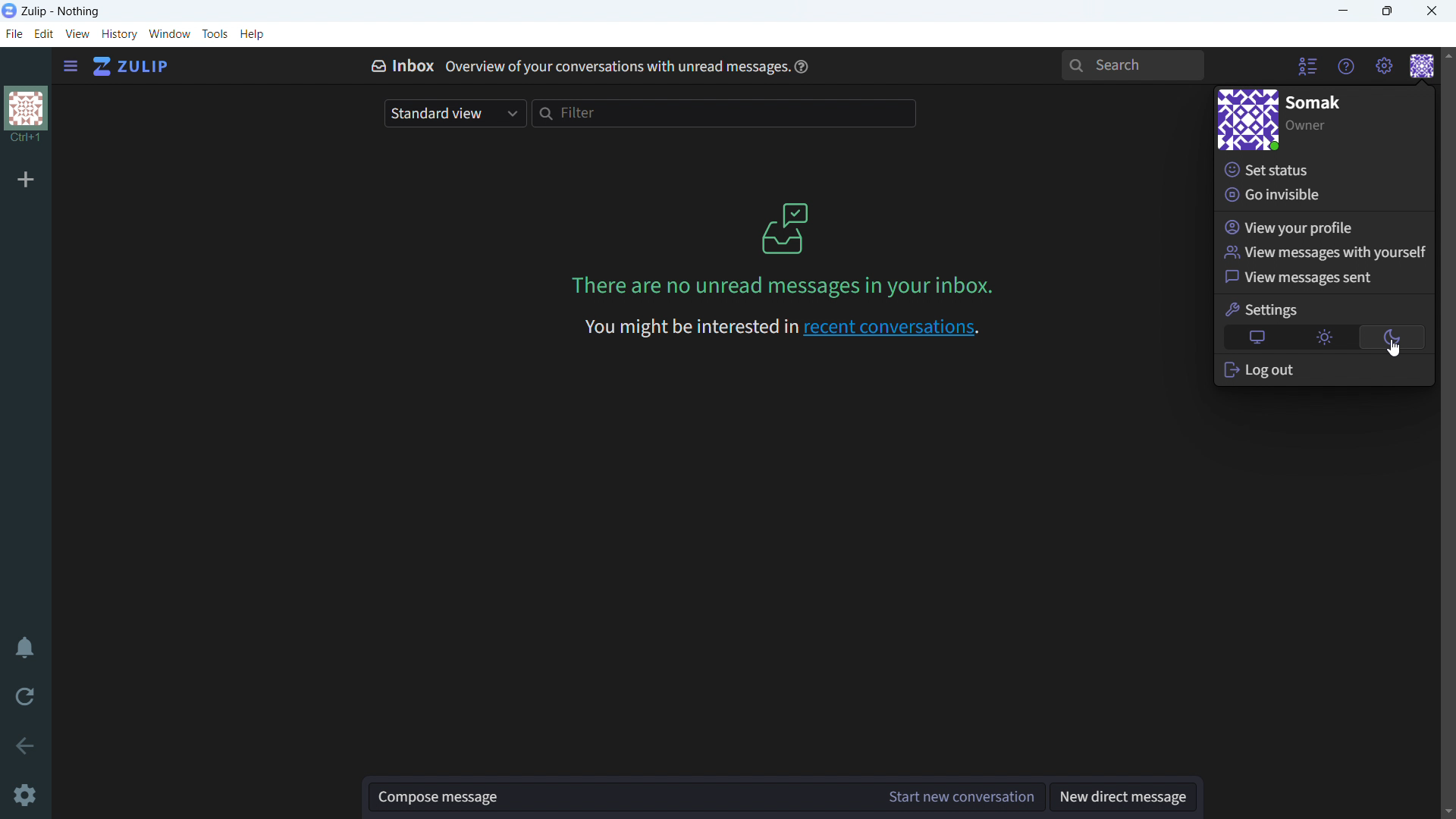 The height and width of the screenshot is (819, 1456). What do you see at coordinates (1395, 337) in the screenshot?
I see `dark theme` at bounding box center [1395, 337].